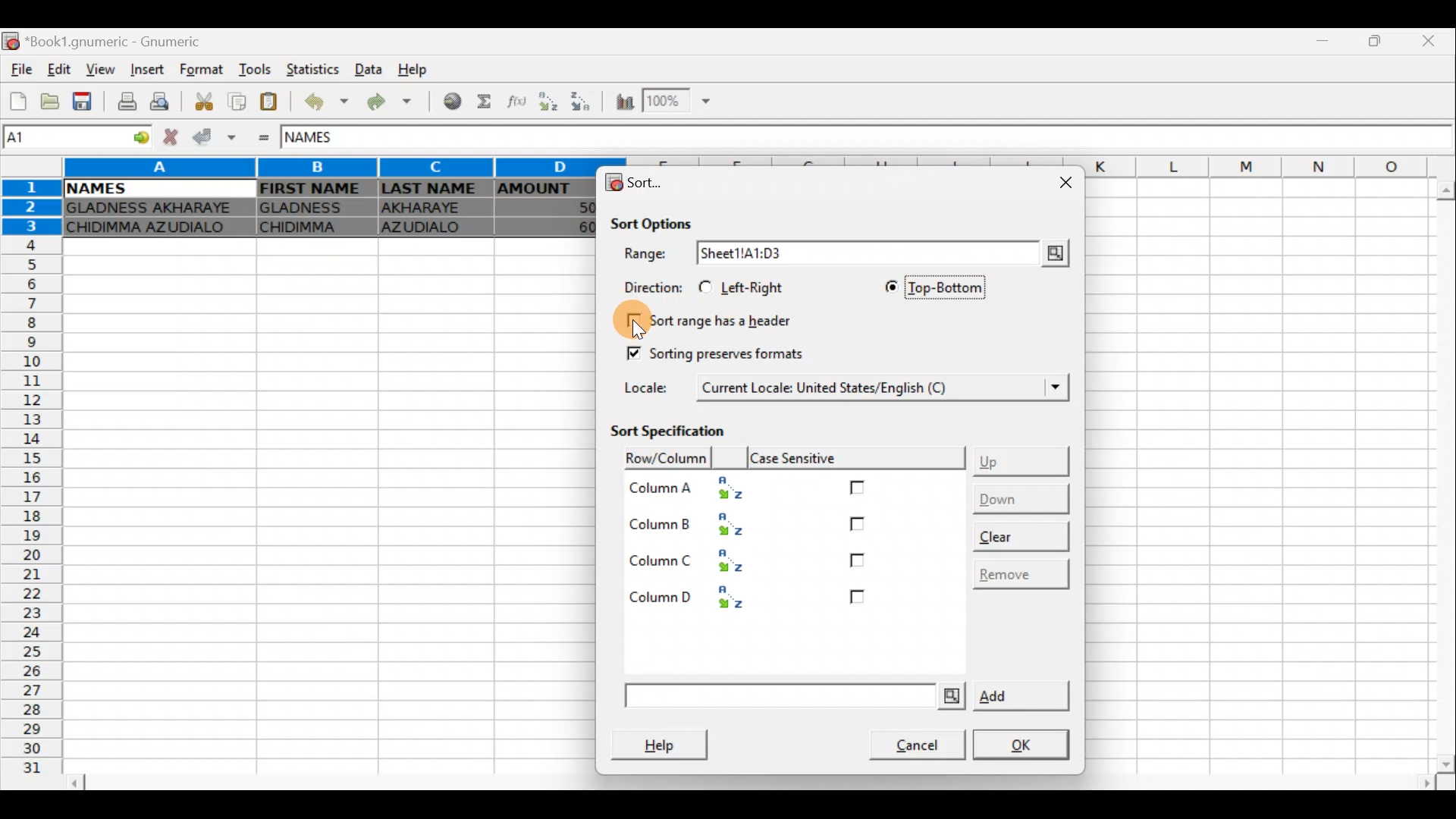 The width and height of the screenshot is (1456, 819). I want to click on Insert chart, so click(624, 102).